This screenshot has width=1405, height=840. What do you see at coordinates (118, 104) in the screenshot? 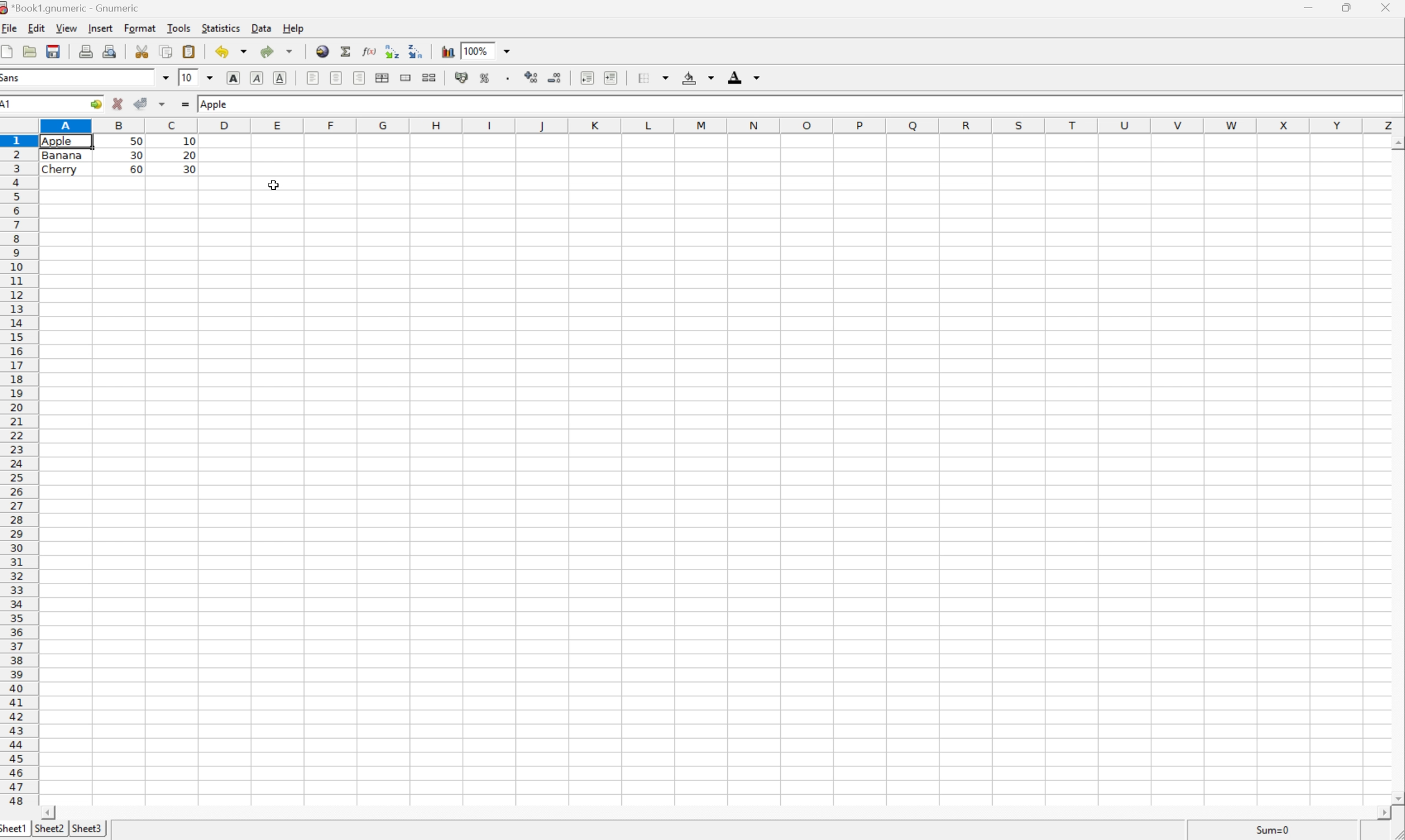
I see `cancel changes` at bounding box center [118, 104].